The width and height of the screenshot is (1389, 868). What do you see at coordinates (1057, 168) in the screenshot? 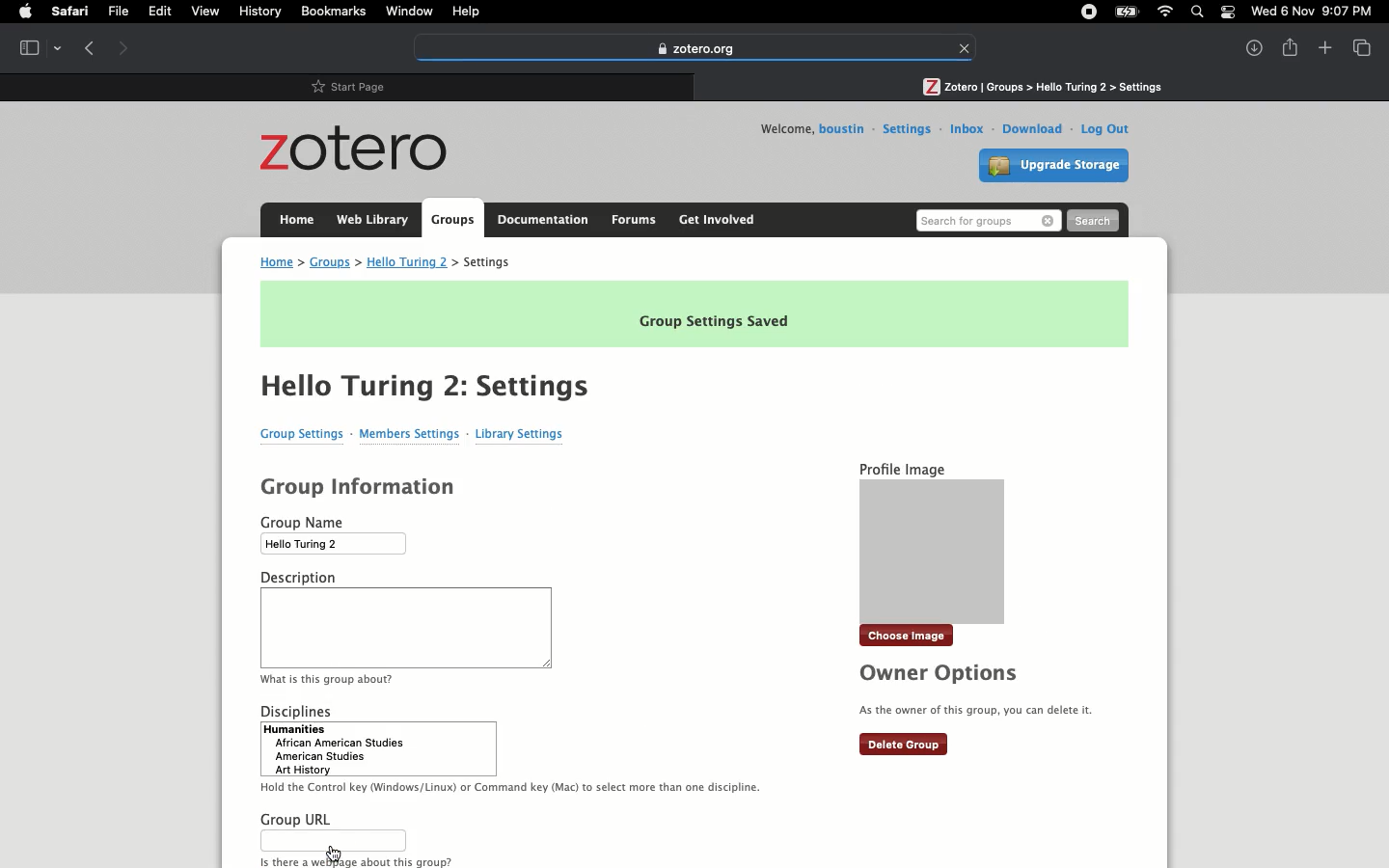
I see `Upgrade storage` at bounding box center [1057, 168].